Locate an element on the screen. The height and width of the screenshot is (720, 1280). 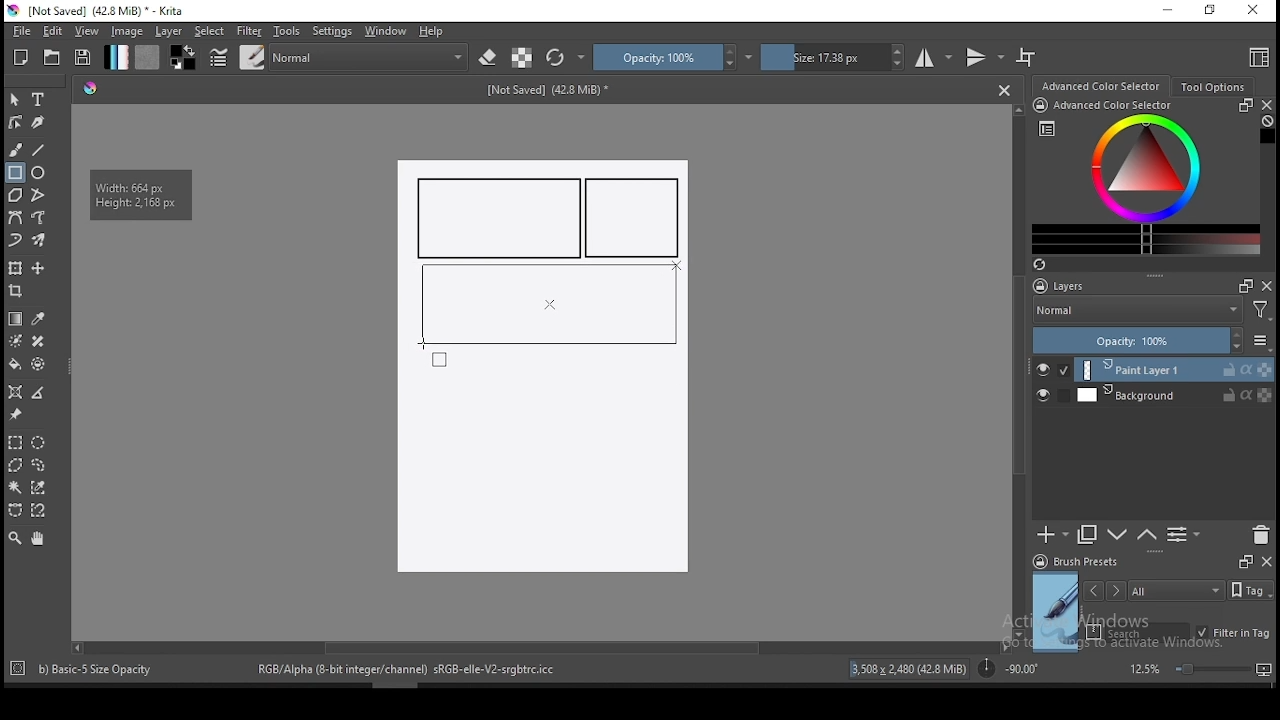
new rectangle is located at coordinates (500, 218).